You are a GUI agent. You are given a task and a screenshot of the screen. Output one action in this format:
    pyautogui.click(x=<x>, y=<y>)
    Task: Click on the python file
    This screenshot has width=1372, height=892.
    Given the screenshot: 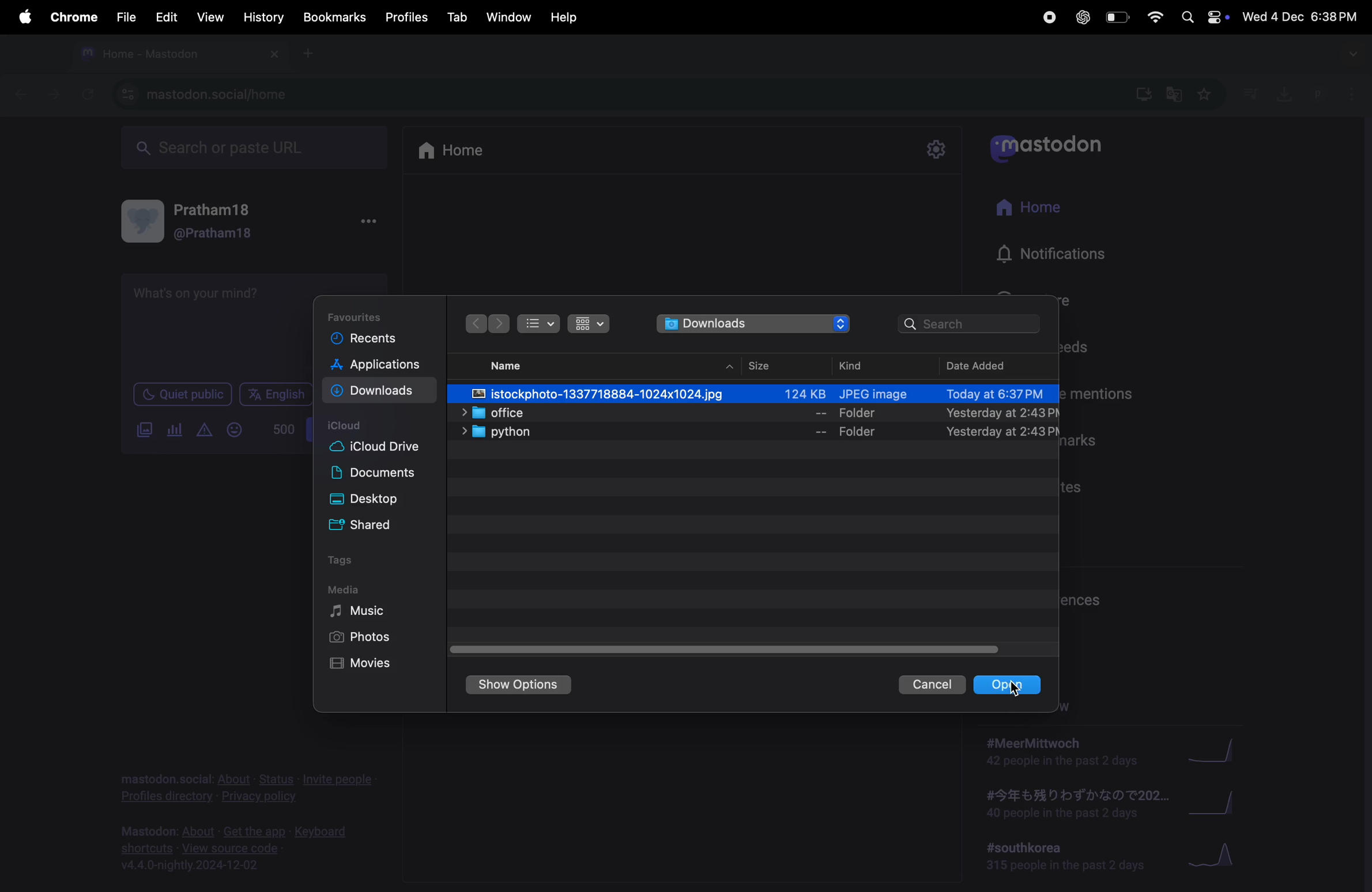 What is the action you would take?
    pyautogui.click(x=747, y=432)
    